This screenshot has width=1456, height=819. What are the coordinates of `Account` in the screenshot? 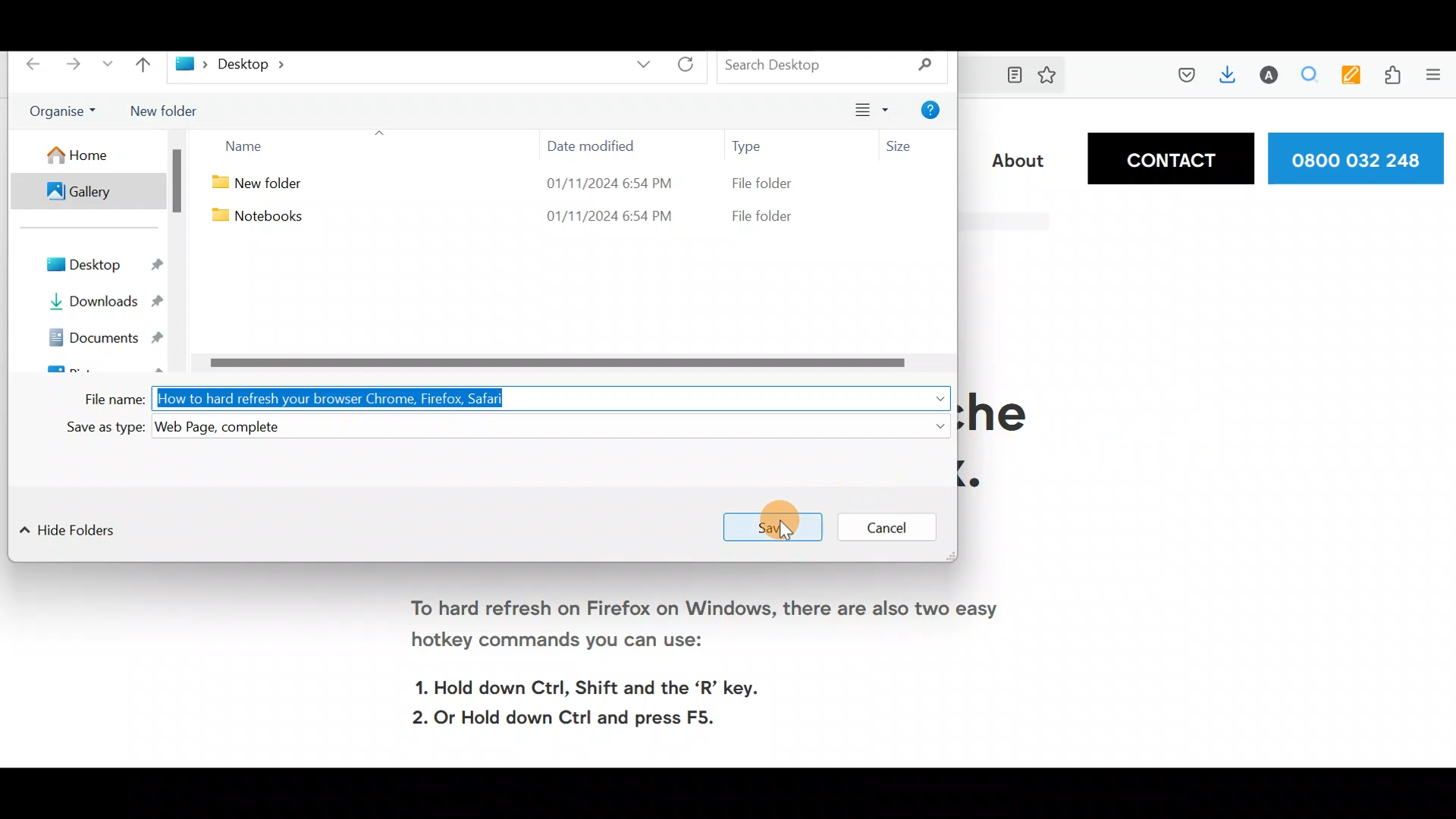 It's located at (1272, 75).